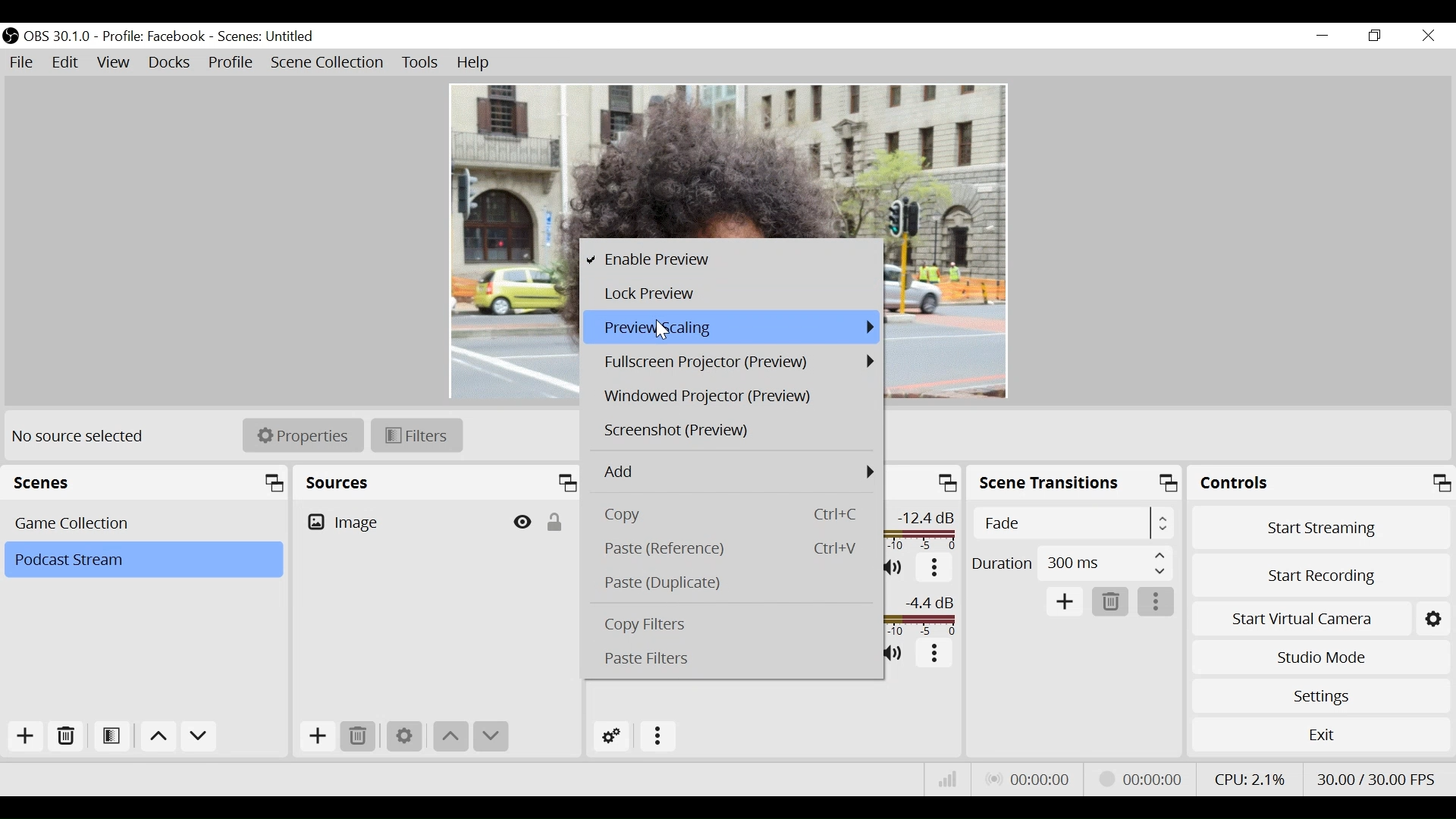 This screenshot has height=819, width=1456. What do you see at coordinates (233, 64) in the screenshot?
I see `Profile` at bounding box center [233, 64].